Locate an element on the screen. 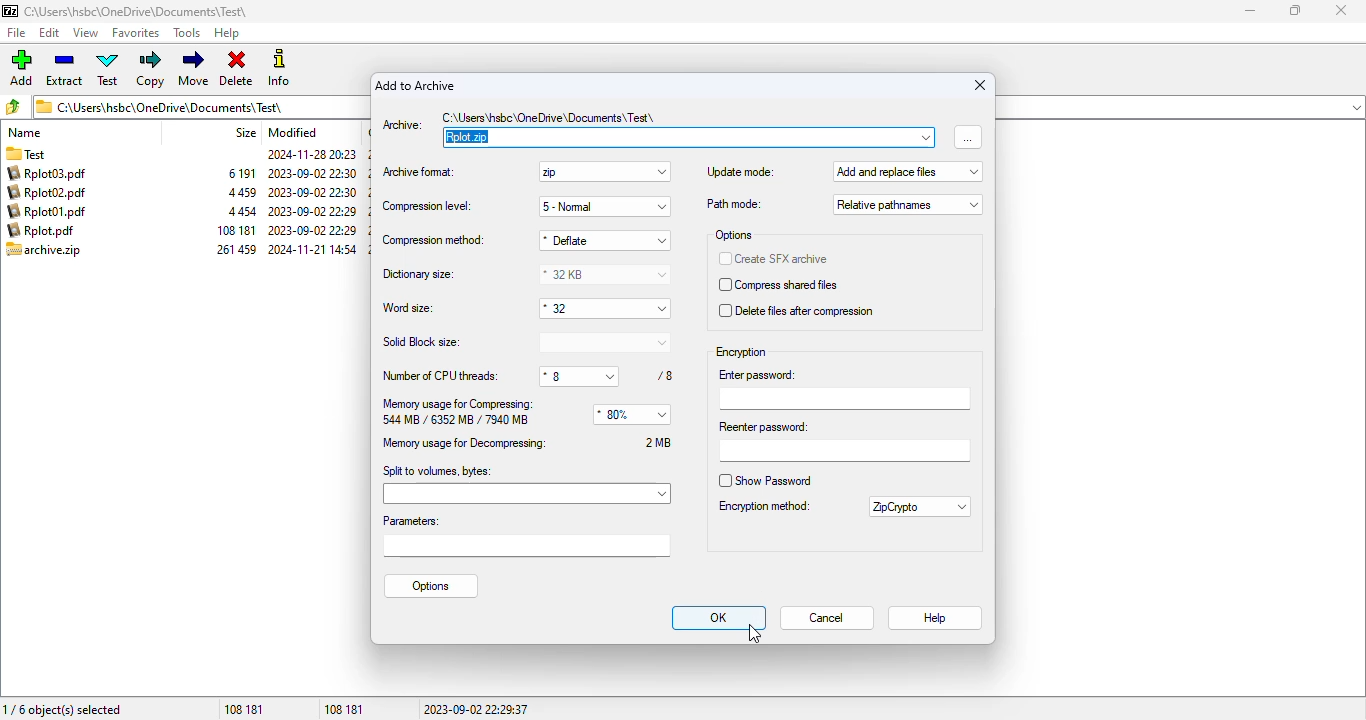 The image size is (1366, 720). archive format: zip is located at coordinates (524, 172).